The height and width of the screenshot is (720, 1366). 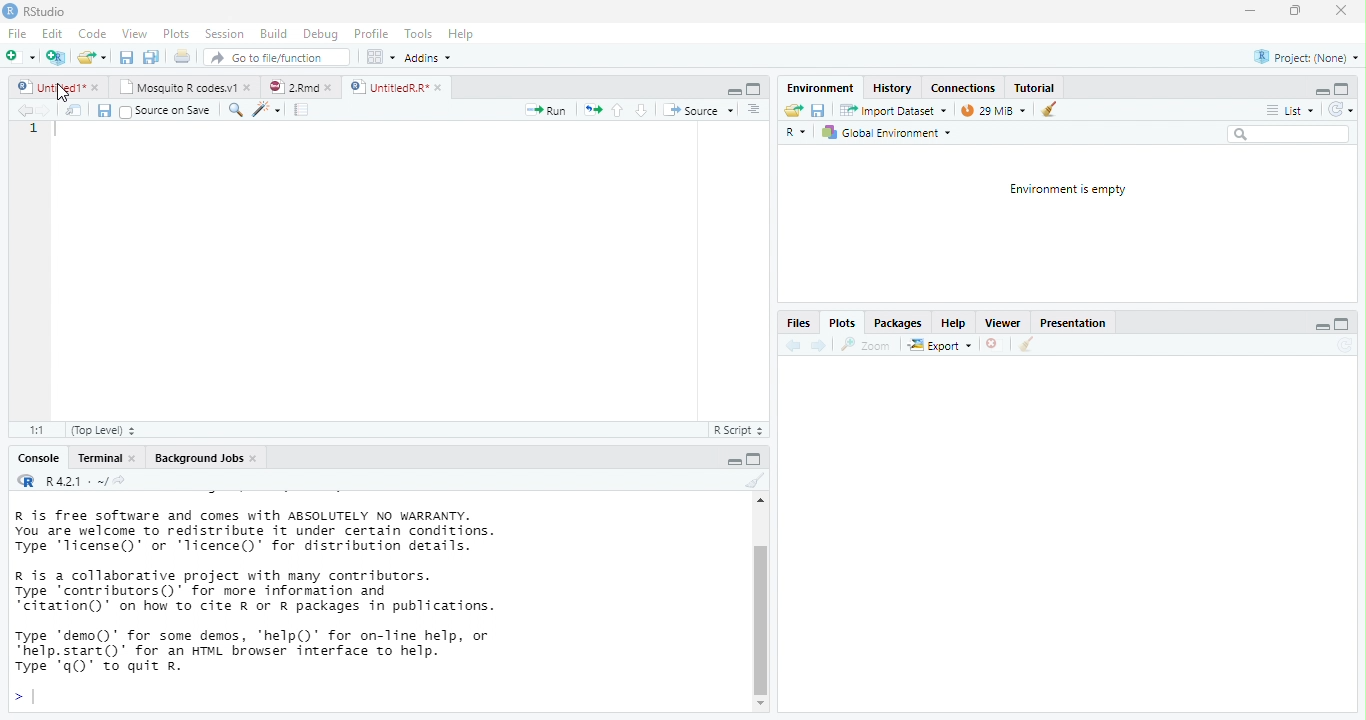 I want to click on export, so click(x=939, y=346).